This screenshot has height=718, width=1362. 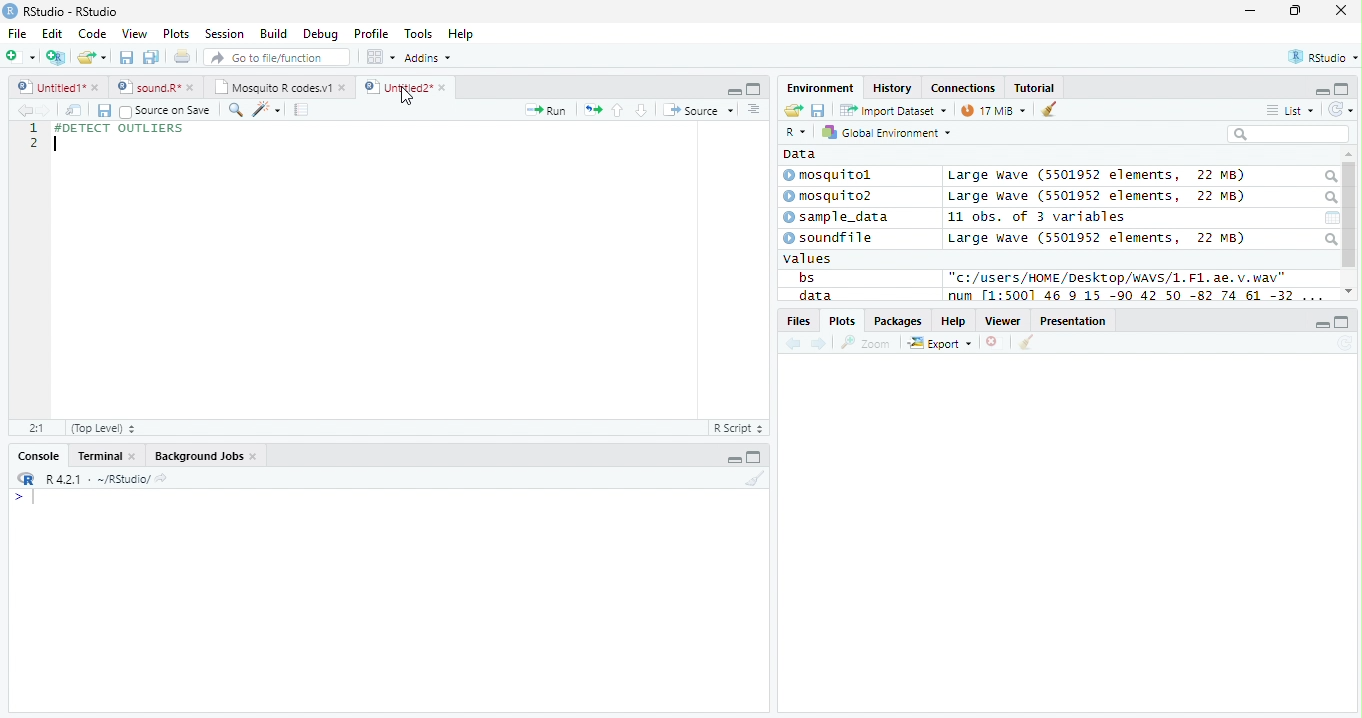 I want to click on Folder, so click(x=793, y=110).